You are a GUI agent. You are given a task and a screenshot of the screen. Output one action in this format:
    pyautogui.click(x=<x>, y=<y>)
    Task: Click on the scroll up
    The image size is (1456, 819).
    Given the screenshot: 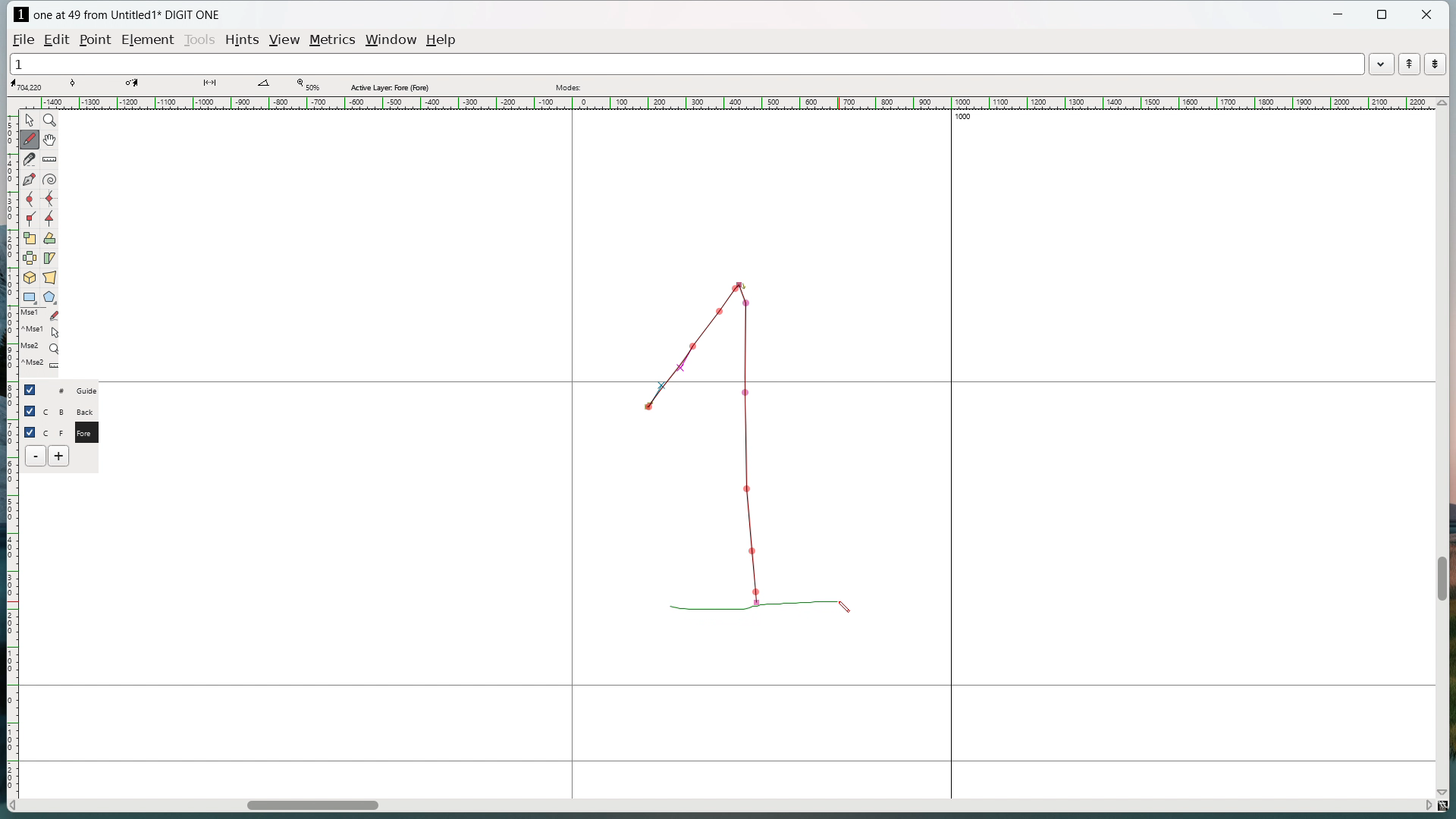 What is the action you would take?
    pyautogui.click(x=1441, y=103)
    